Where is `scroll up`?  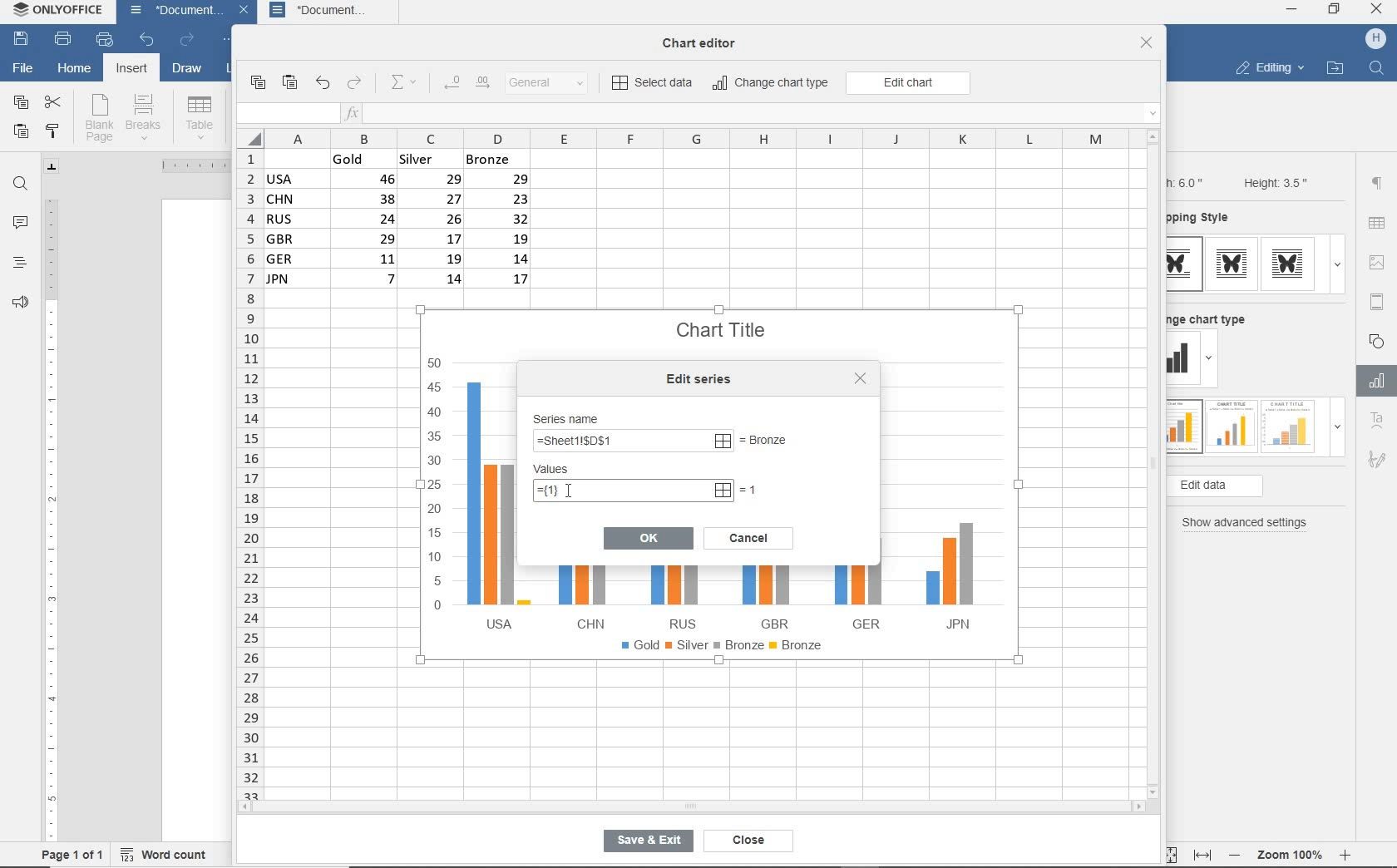 scroll up is located at coordinates (1153, 136).